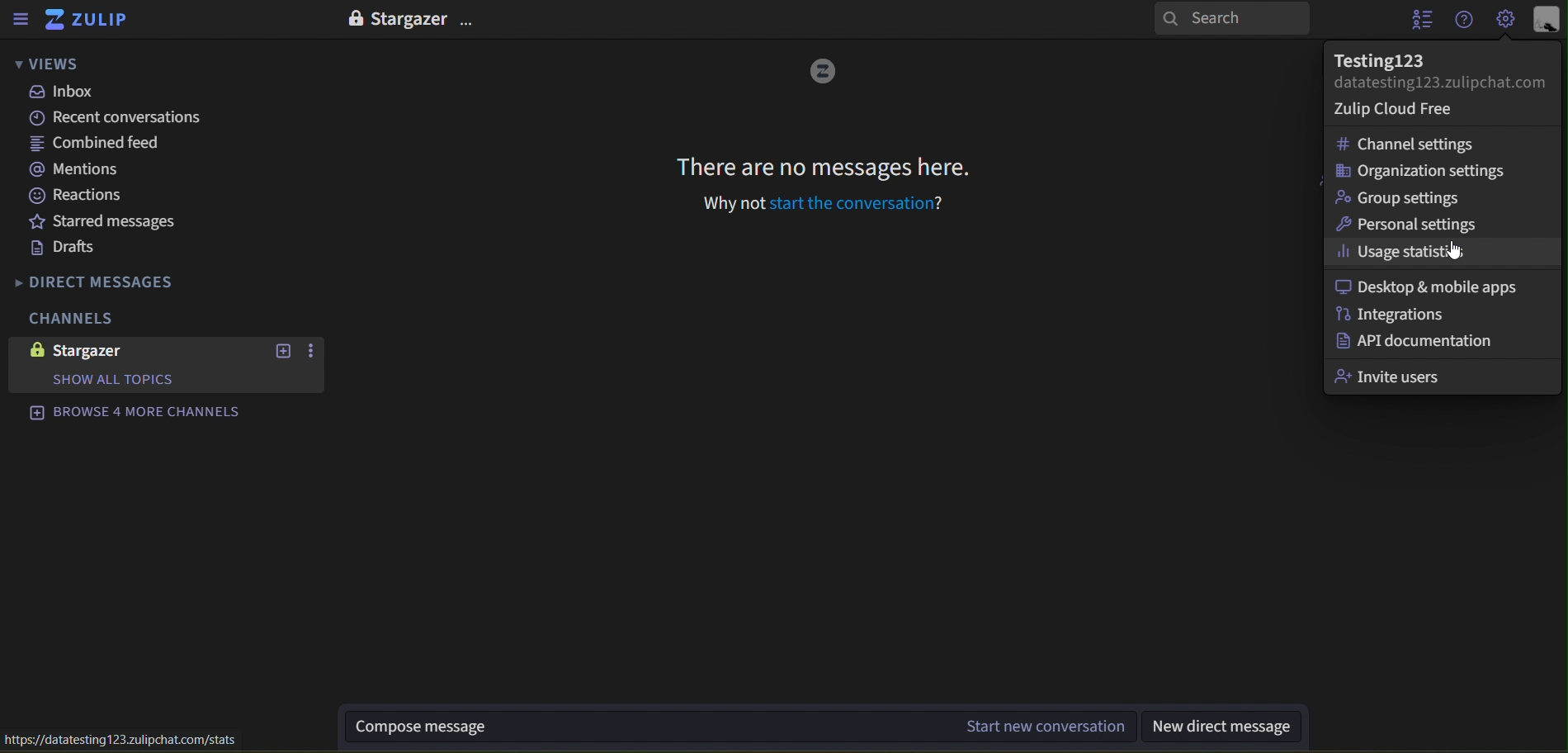  What do you see at coordinates (1441, 84) in the screenshot?
I see `datatesting123.zulipchat.com` at bounding box center [1441, 84].